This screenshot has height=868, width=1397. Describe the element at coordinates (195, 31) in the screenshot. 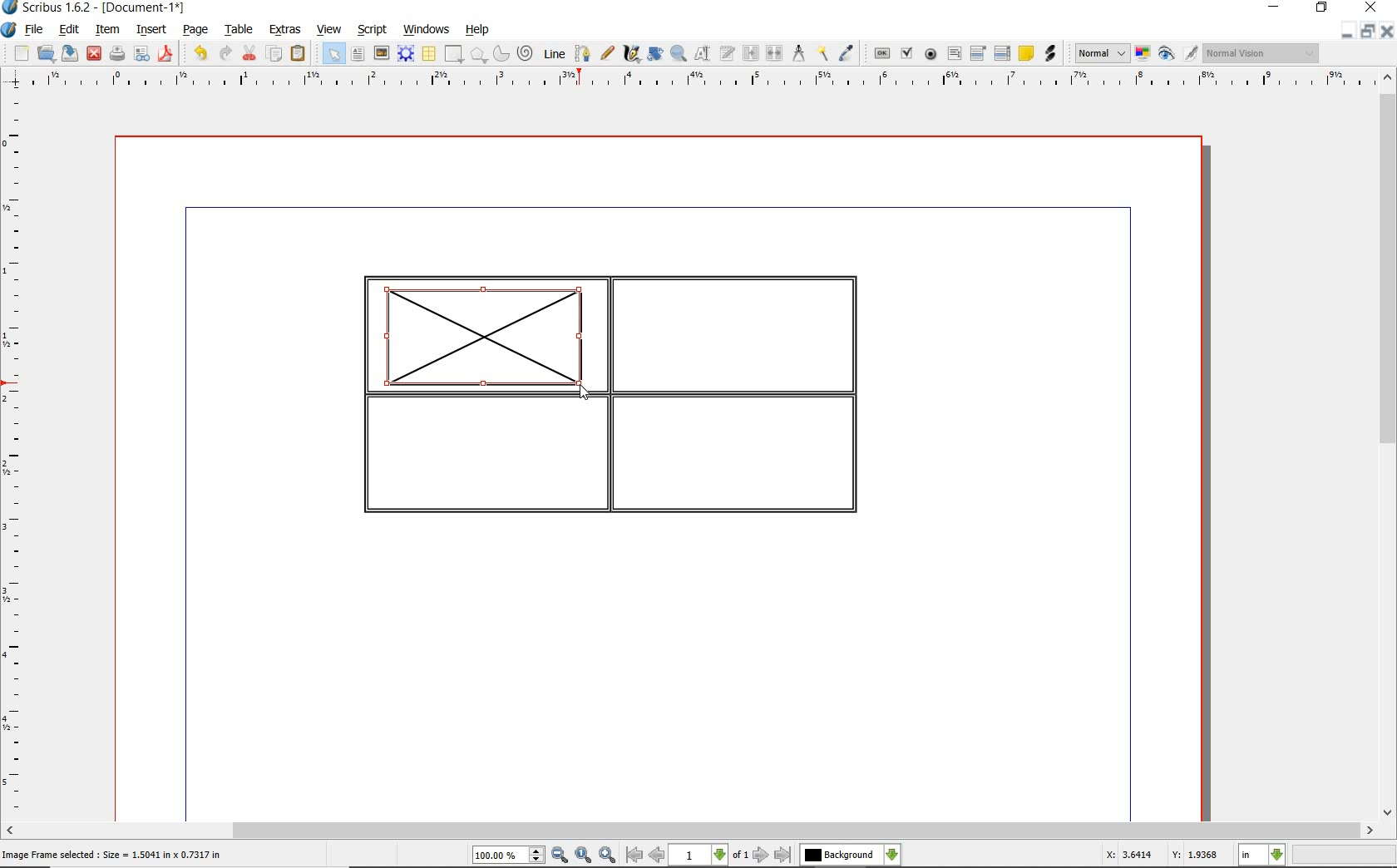

I see `page` at that location.